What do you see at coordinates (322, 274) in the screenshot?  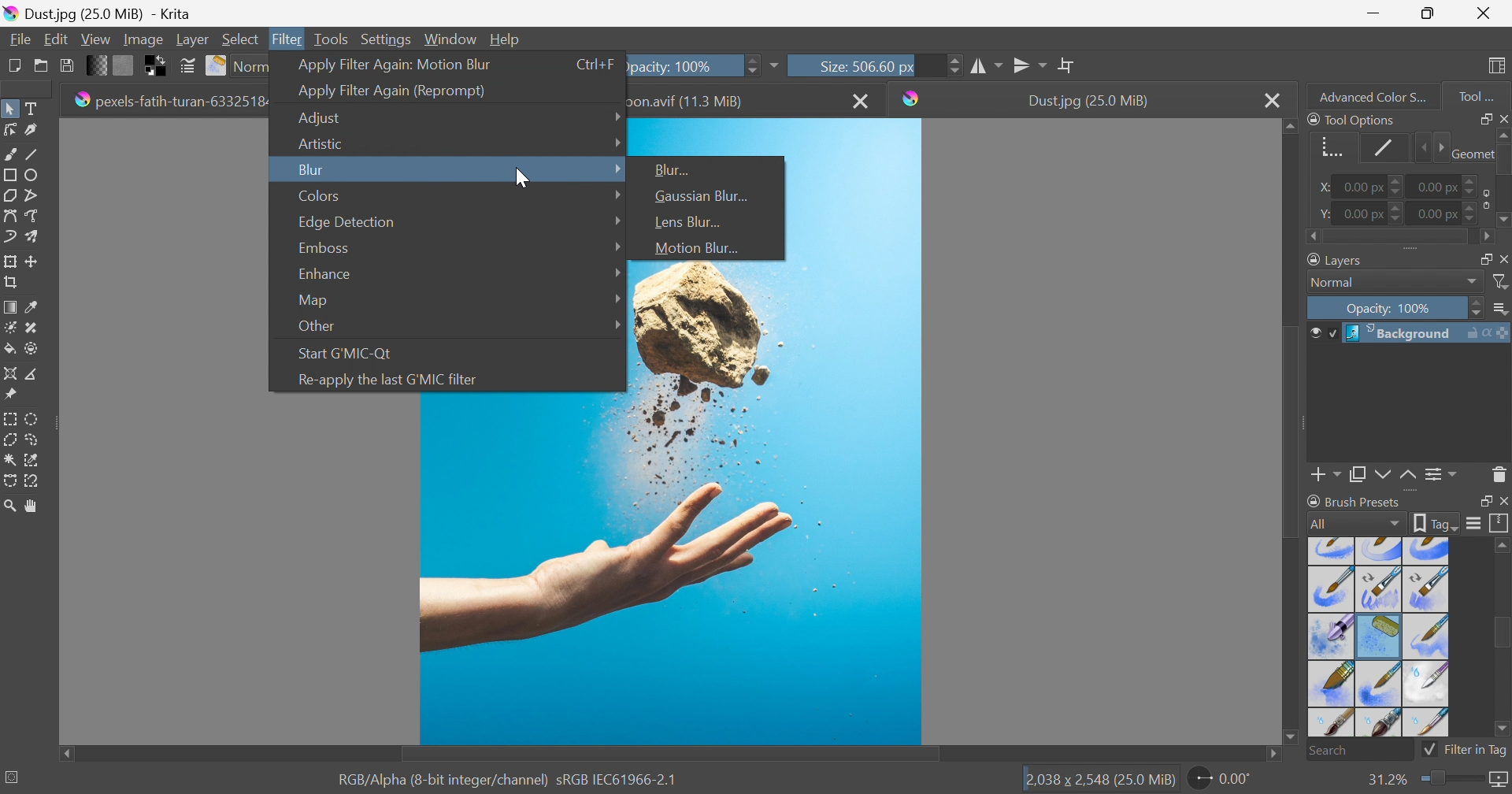 I see `Enhance` at bounding box center [322, 274].